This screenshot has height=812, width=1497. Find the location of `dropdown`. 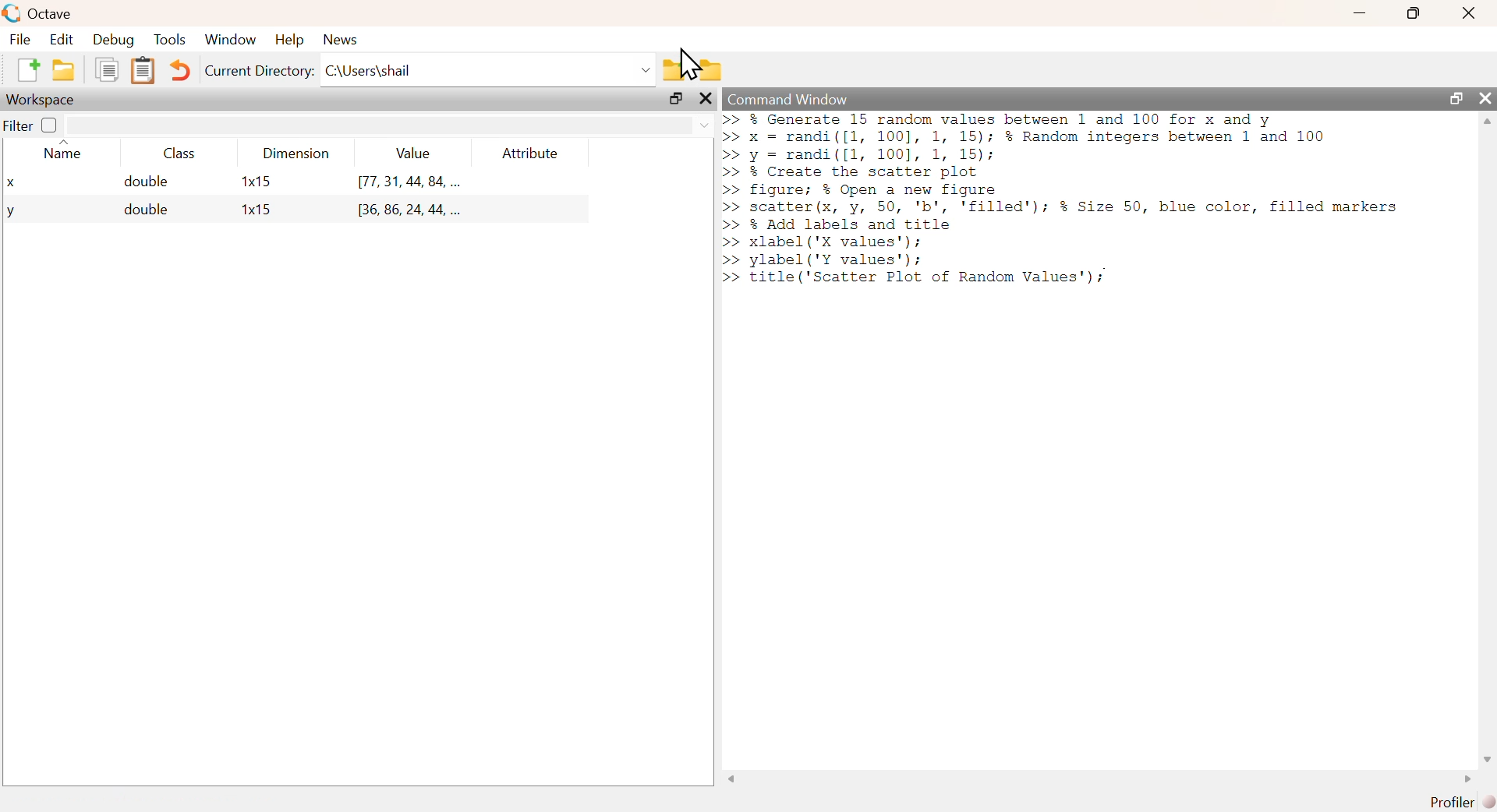

dropdown is located at coordinates (642, 69).